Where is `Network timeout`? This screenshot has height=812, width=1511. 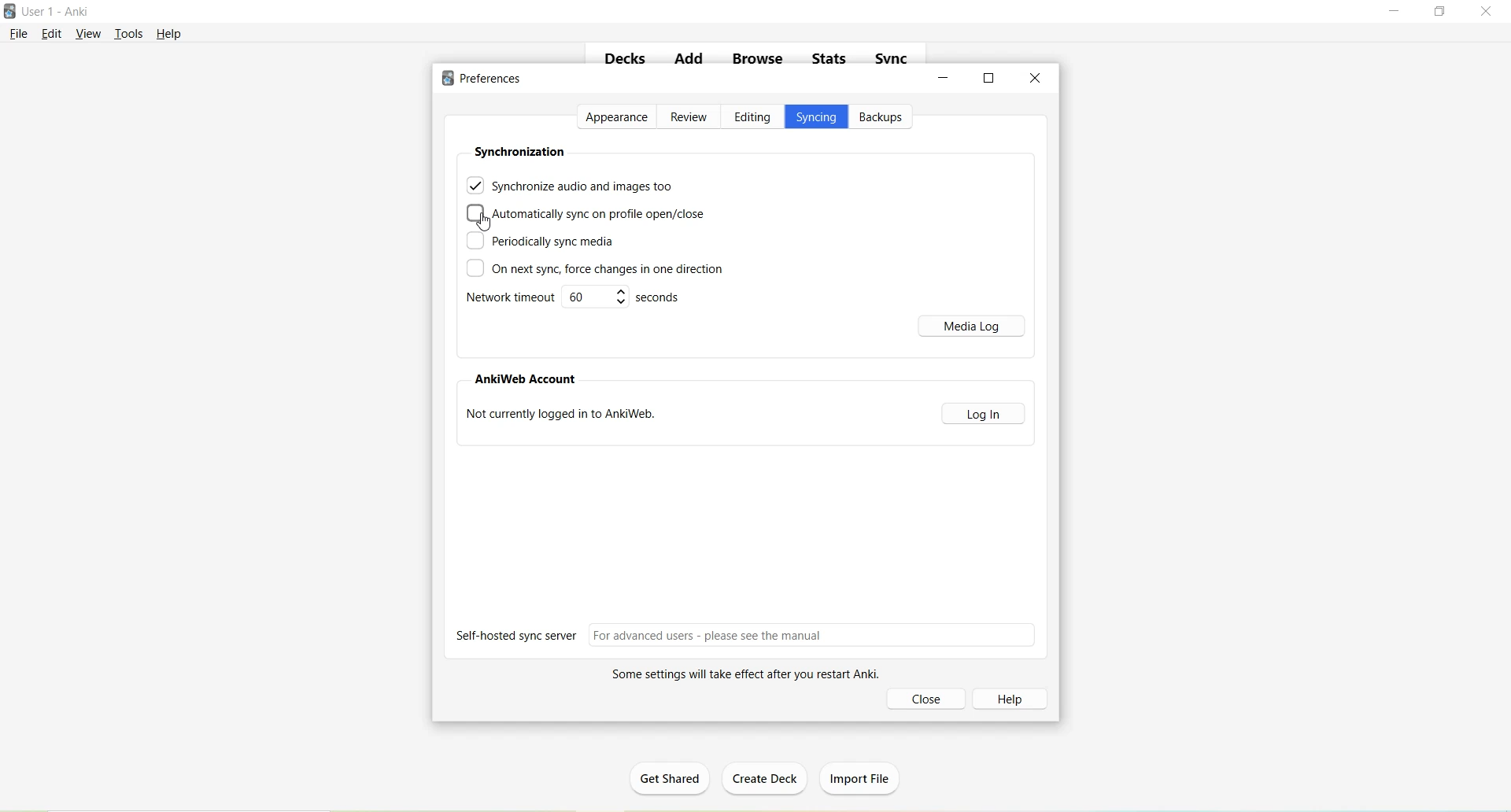
Network timeout is located at coordinates (576, 299).